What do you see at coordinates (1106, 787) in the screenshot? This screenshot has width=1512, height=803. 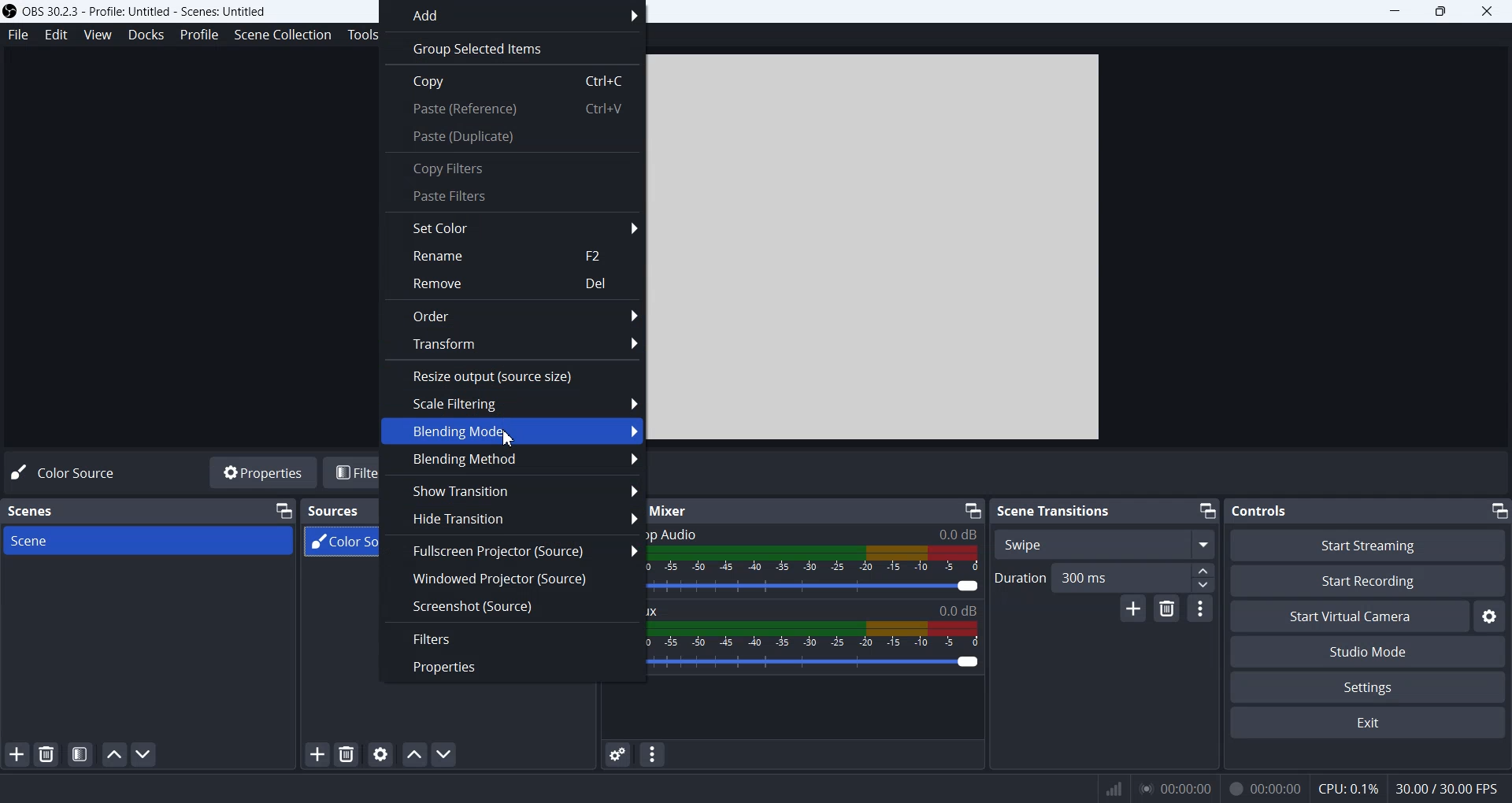 I see `Signals` at bounding box center [1106, 787].